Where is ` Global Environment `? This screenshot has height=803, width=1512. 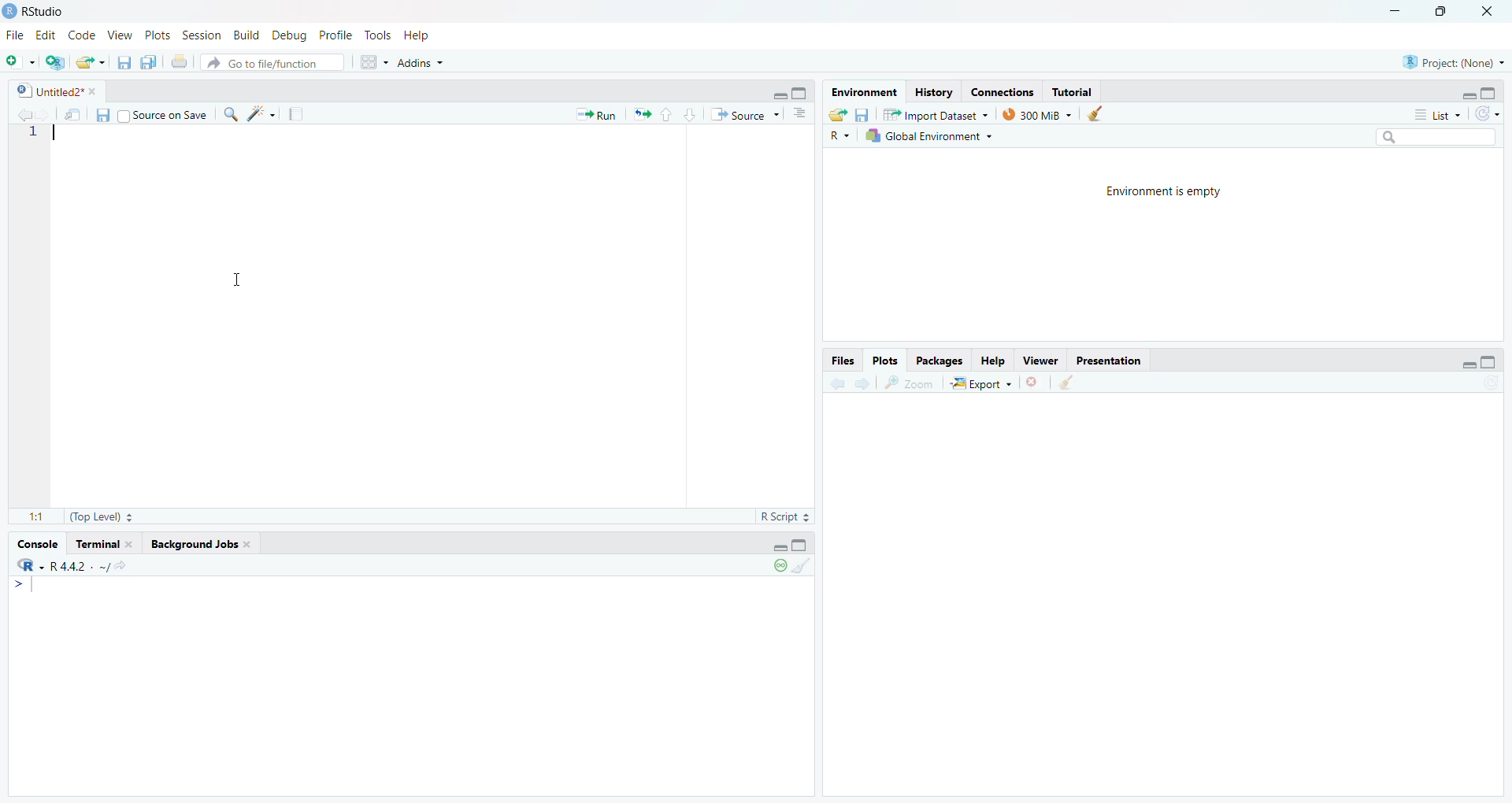  Global Environment  is located at coordinates (935, 137).